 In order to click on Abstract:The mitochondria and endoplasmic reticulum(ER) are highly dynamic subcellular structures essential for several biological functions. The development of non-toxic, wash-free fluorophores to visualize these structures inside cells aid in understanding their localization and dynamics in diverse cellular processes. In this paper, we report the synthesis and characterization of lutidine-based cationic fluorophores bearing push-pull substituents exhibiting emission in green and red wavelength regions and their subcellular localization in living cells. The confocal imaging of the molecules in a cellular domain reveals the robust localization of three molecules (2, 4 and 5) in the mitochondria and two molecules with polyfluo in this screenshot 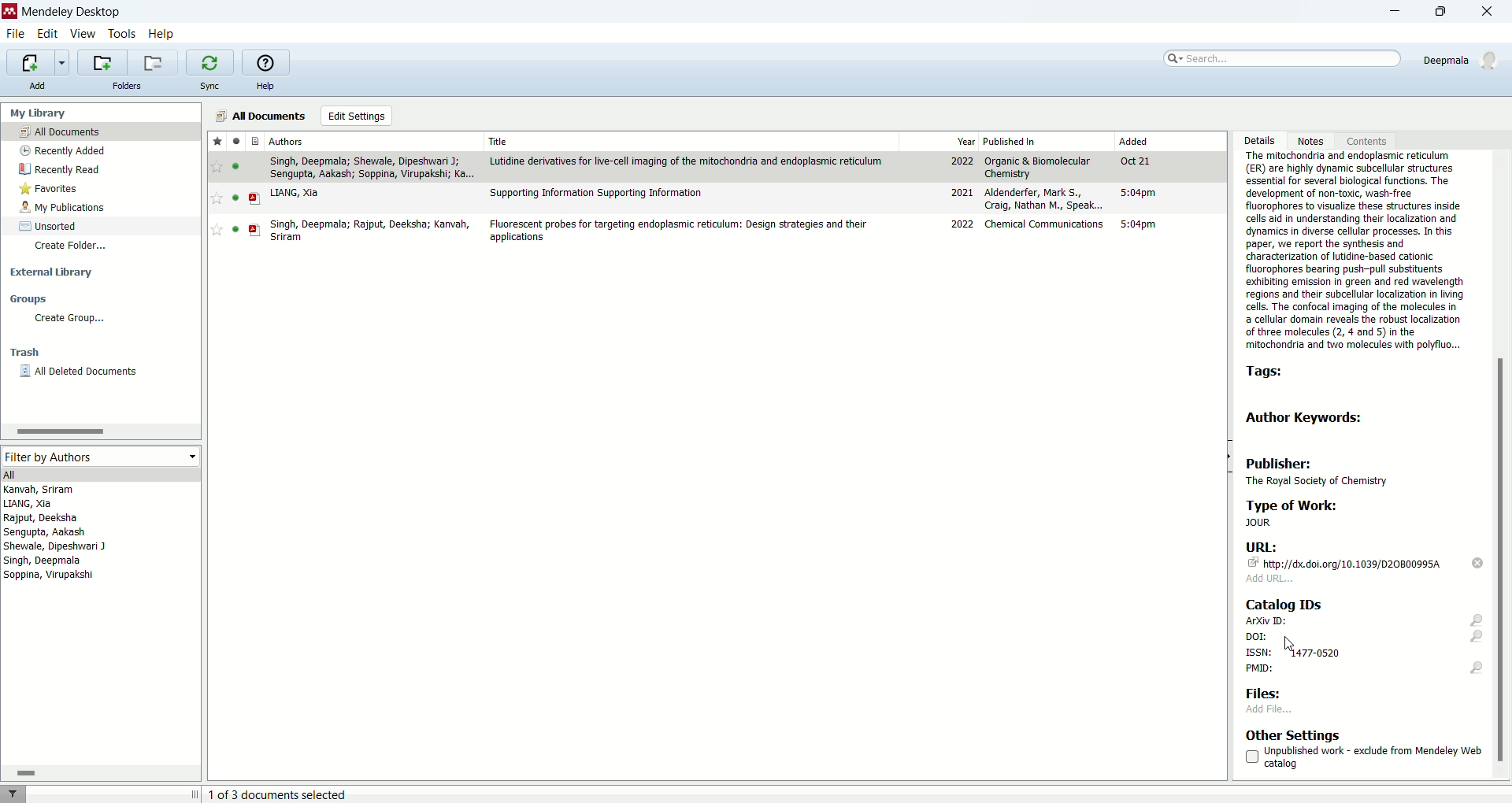, I will do `click(1354, 252)`.